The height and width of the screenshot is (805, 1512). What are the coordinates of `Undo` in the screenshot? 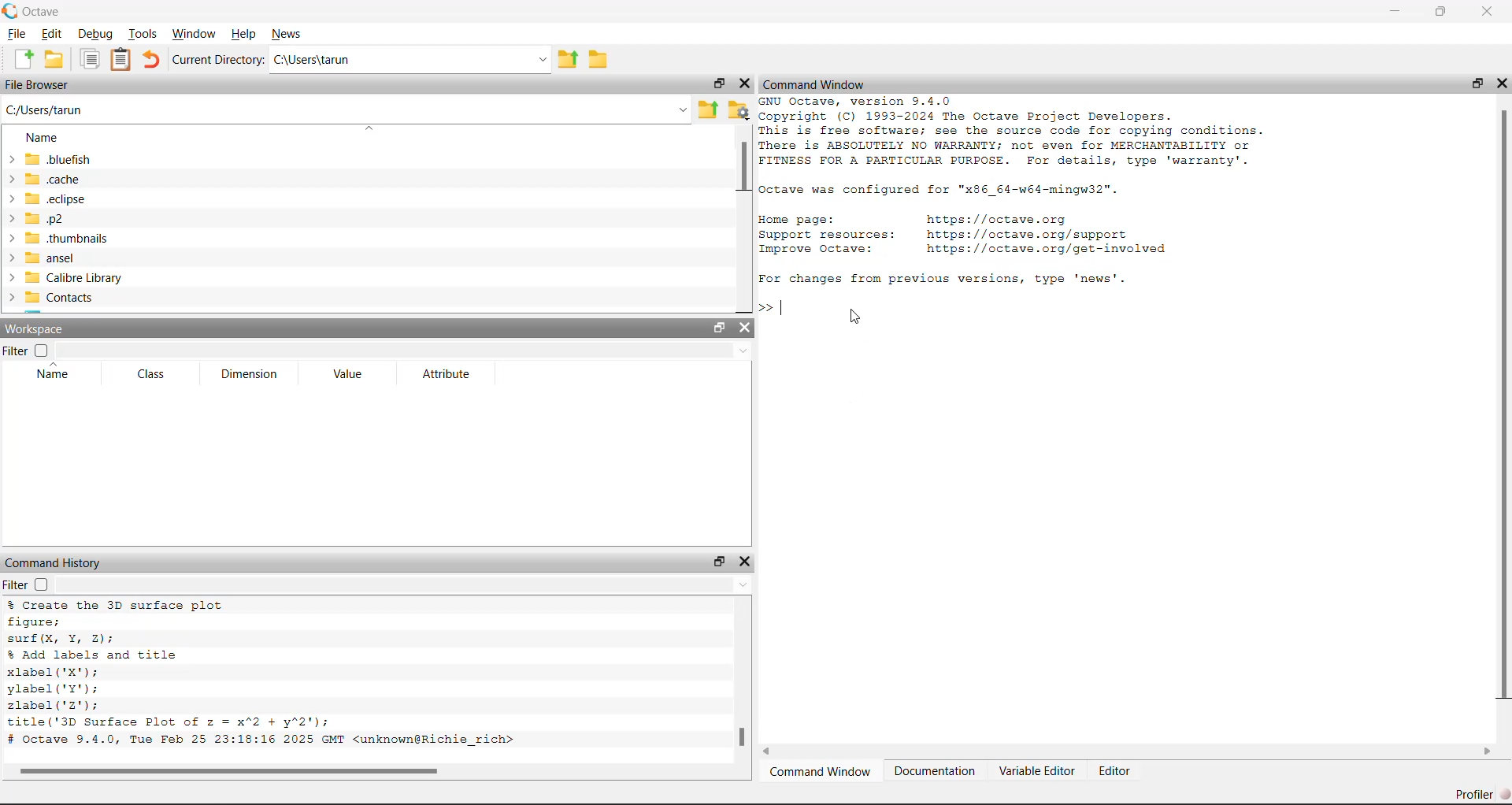 It's located at (151, 59).